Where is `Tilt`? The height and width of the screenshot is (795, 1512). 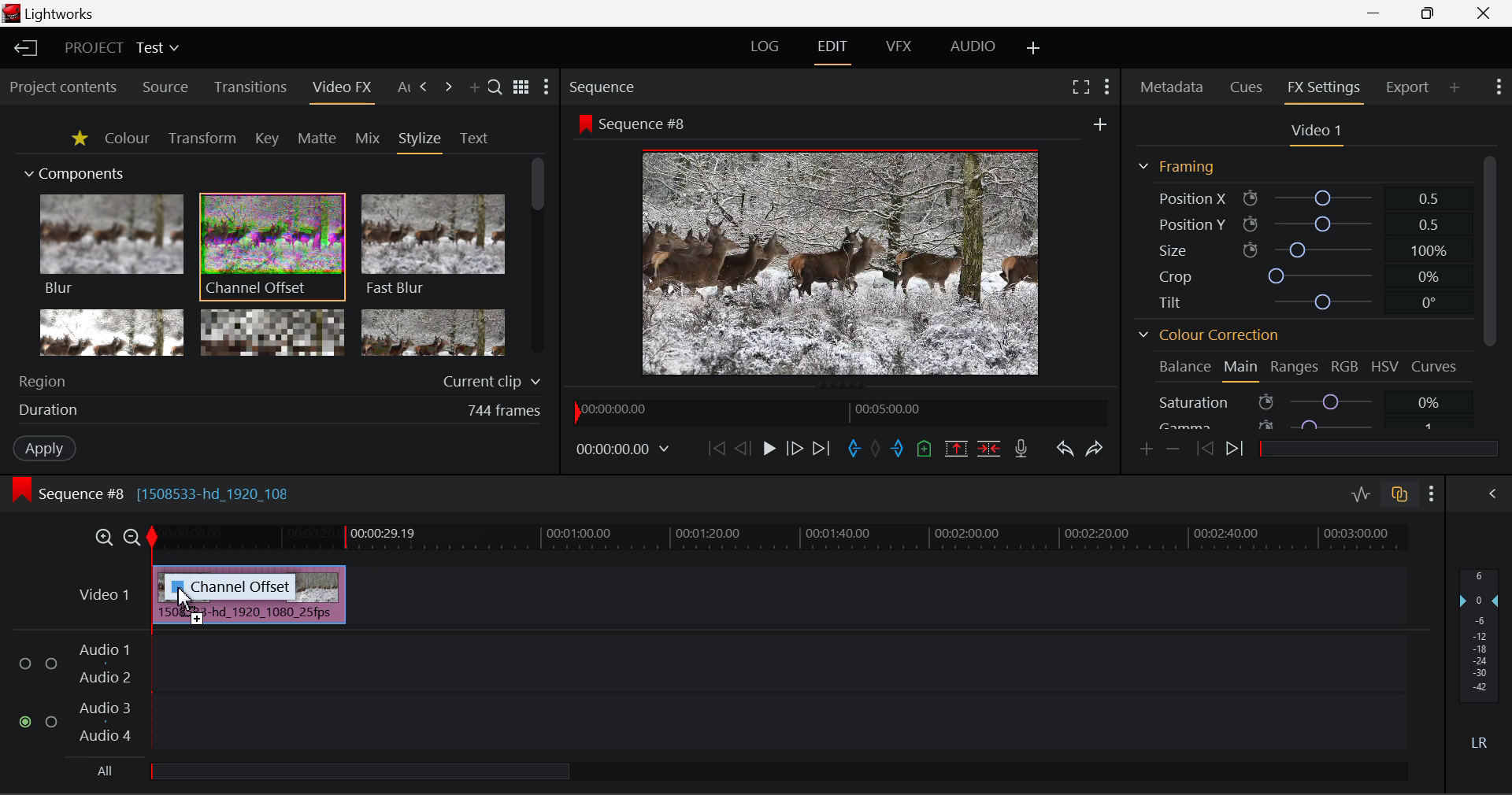 Tilt is located at coordinates (1306, 301).